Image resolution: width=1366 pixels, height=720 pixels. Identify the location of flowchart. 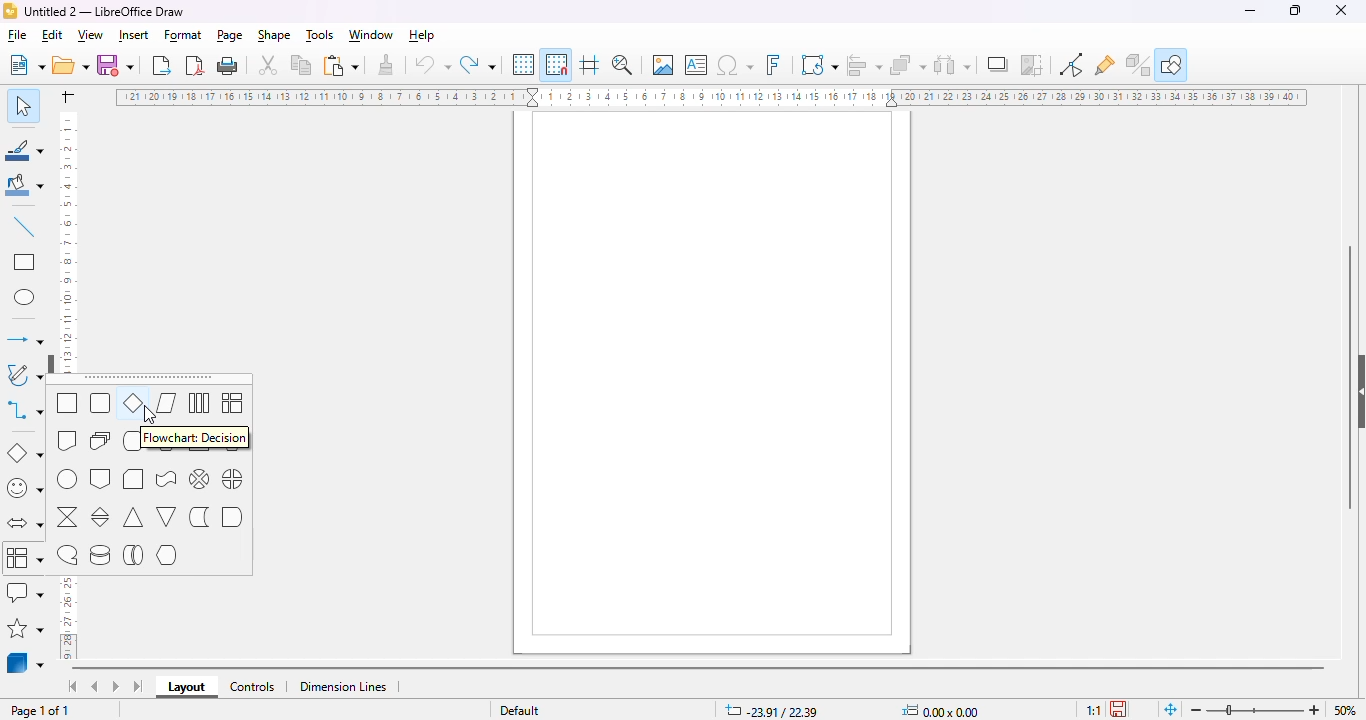
(25, 557).